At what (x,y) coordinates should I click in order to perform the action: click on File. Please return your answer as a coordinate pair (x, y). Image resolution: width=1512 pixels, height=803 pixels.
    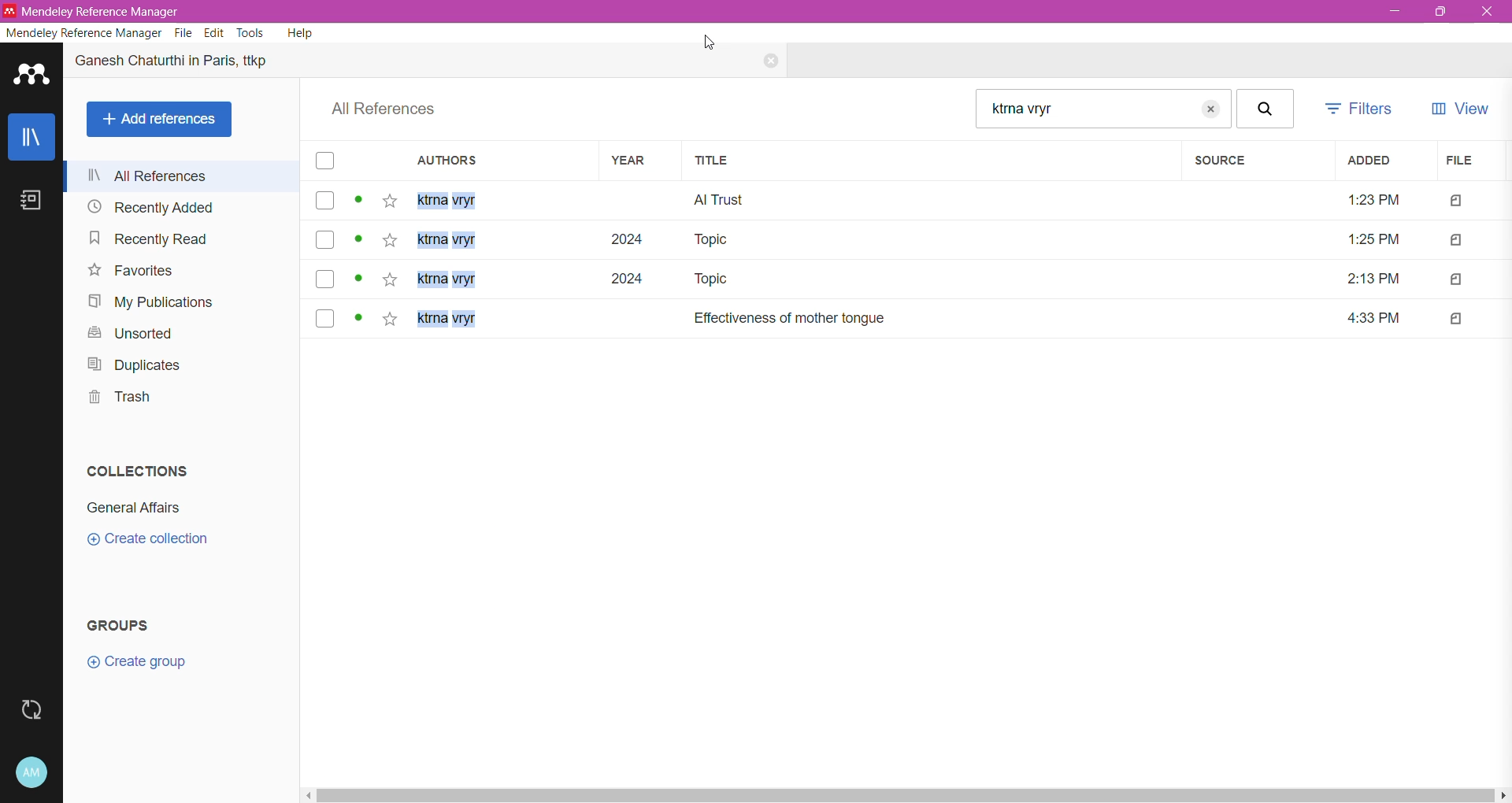
    Looking at the image, I should click on (1469, 161).